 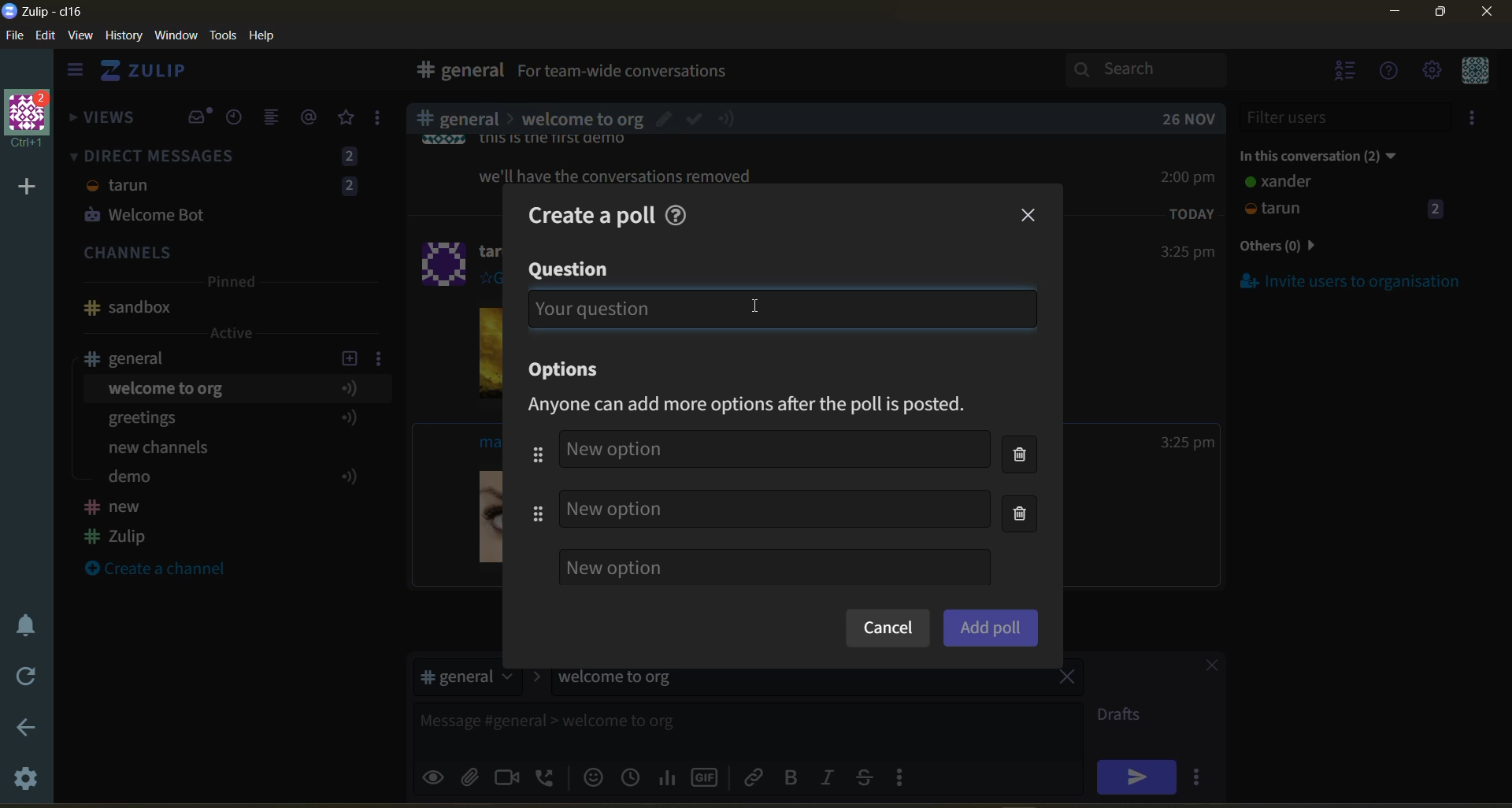 What do you see at coordinates (586, 309) in the screenshot?
I see `` at bounding box center [586, 309].